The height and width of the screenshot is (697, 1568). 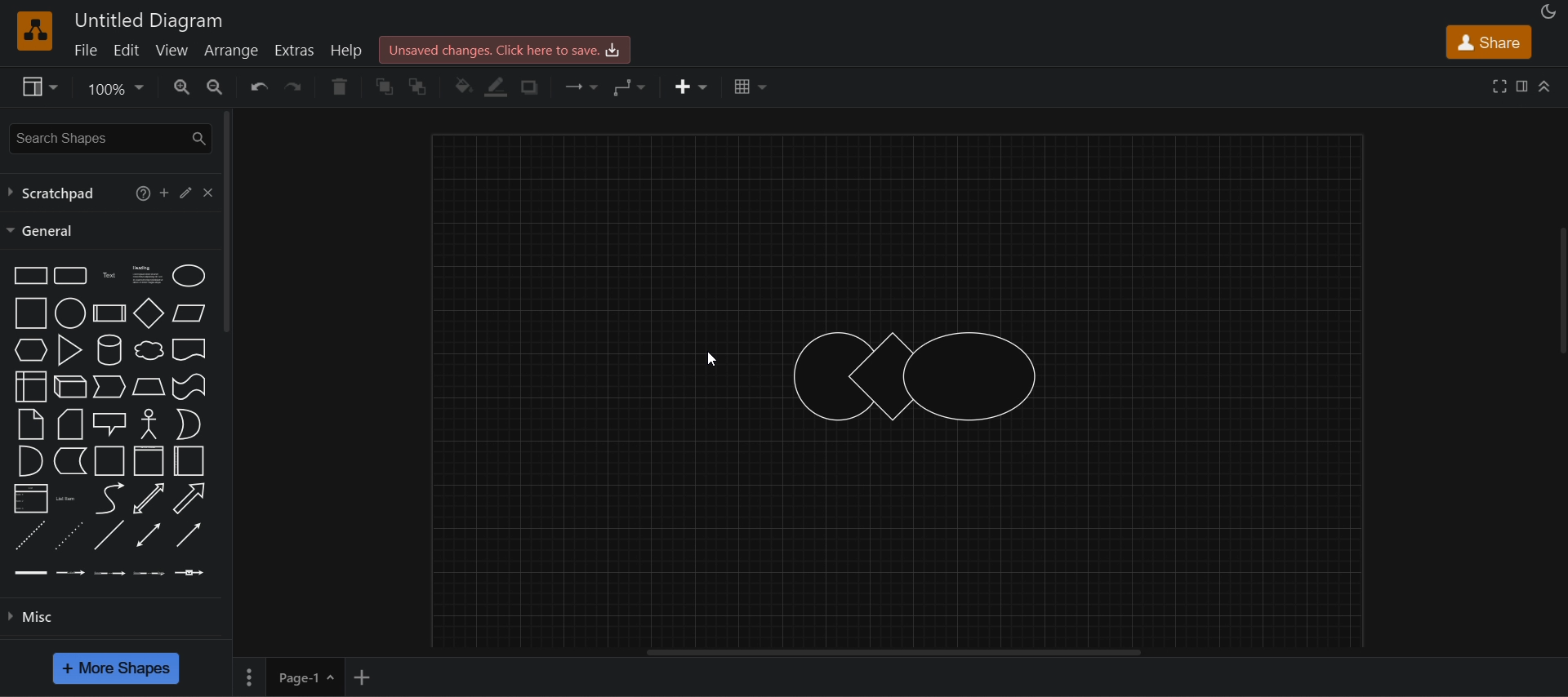 What do you see at coordinates (713, 357) in the screenshot?
I see `cursor` at bounding box center [713, 357].